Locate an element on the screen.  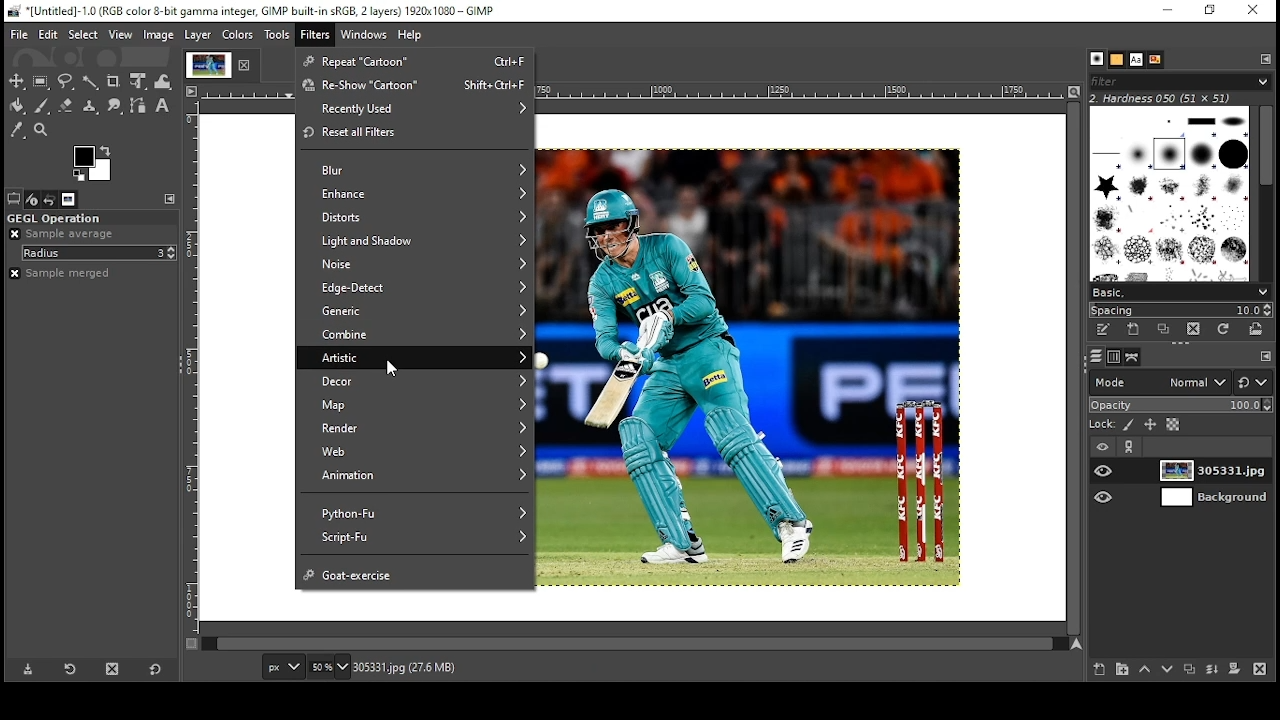
view is located at coordinates (120, 34).